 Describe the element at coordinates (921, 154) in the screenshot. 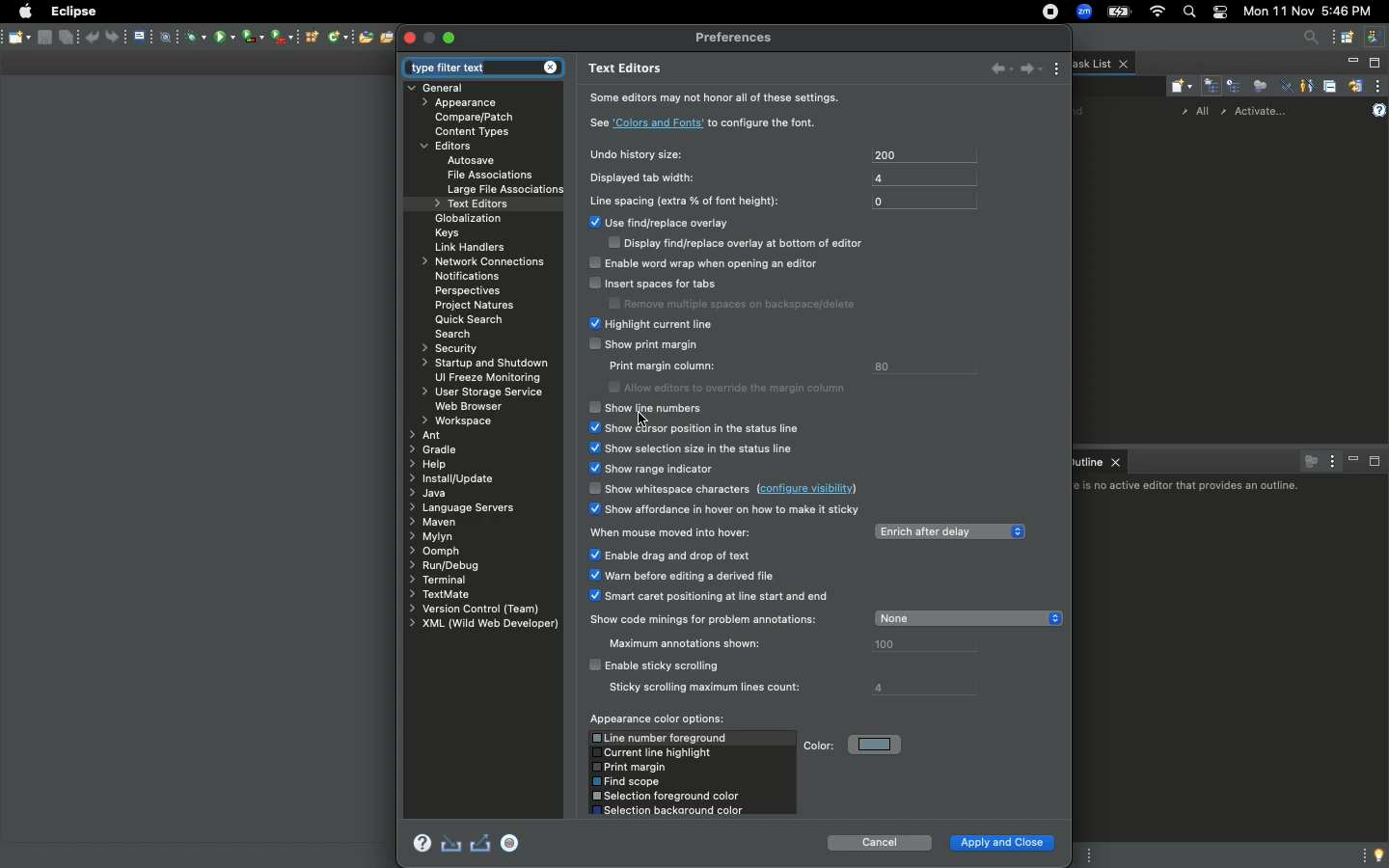

I see `200` at that location.